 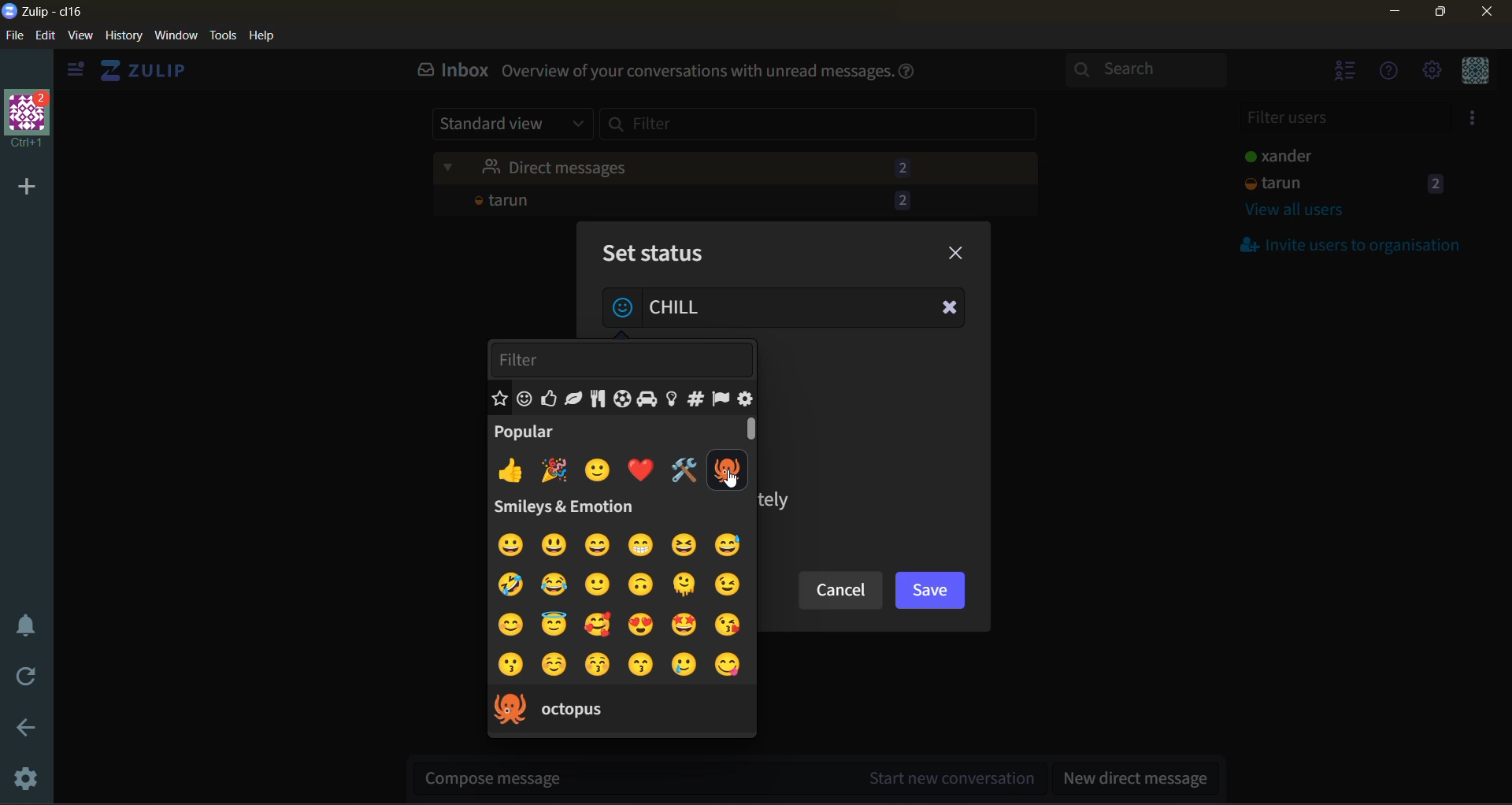 I want to click on save, so click(x=933, y=589).